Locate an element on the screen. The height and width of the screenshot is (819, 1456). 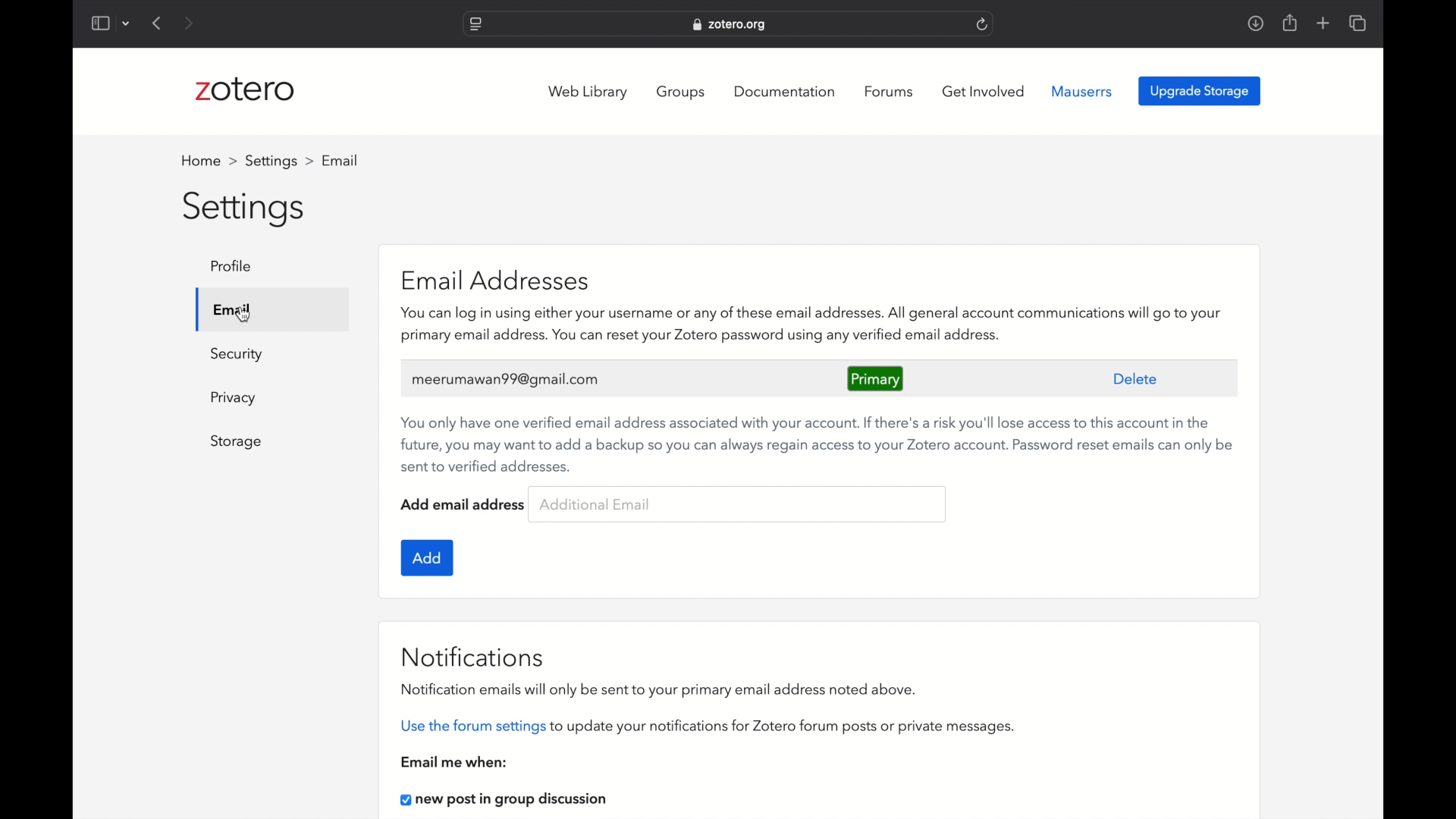
website settings is located at coordinates (475, 25).